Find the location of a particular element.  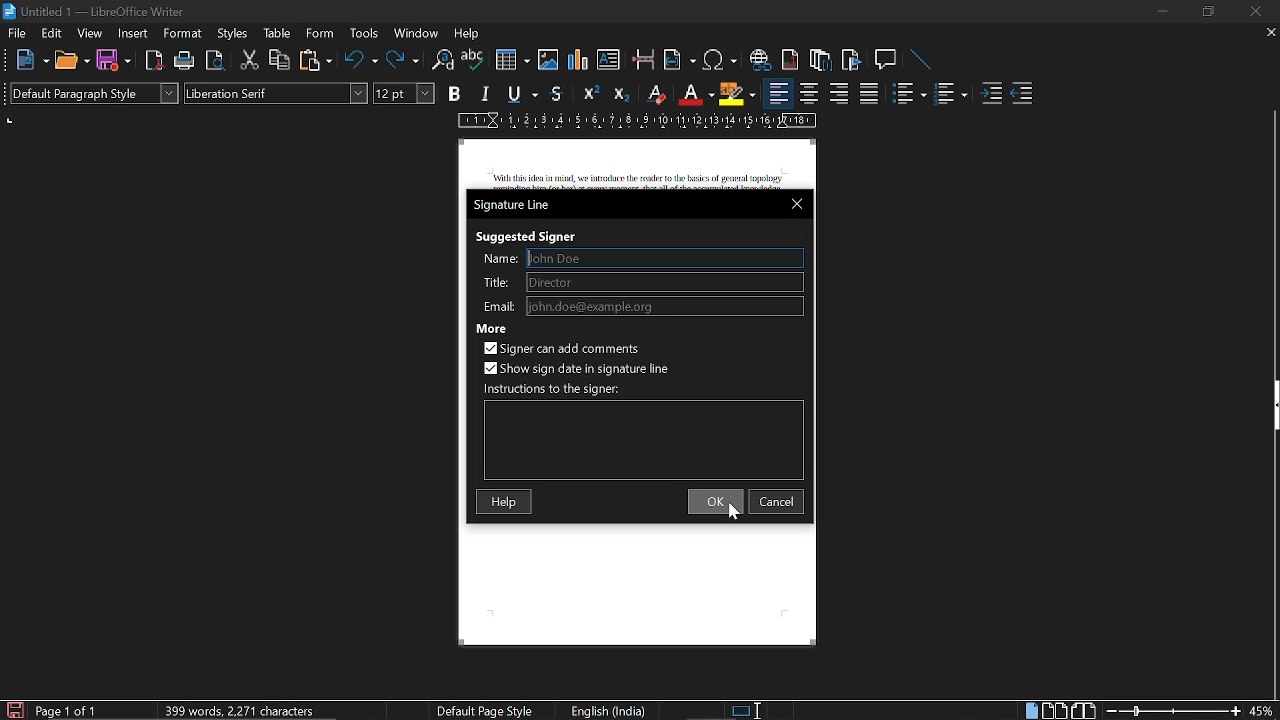

title is located at coordinates (665, 281).